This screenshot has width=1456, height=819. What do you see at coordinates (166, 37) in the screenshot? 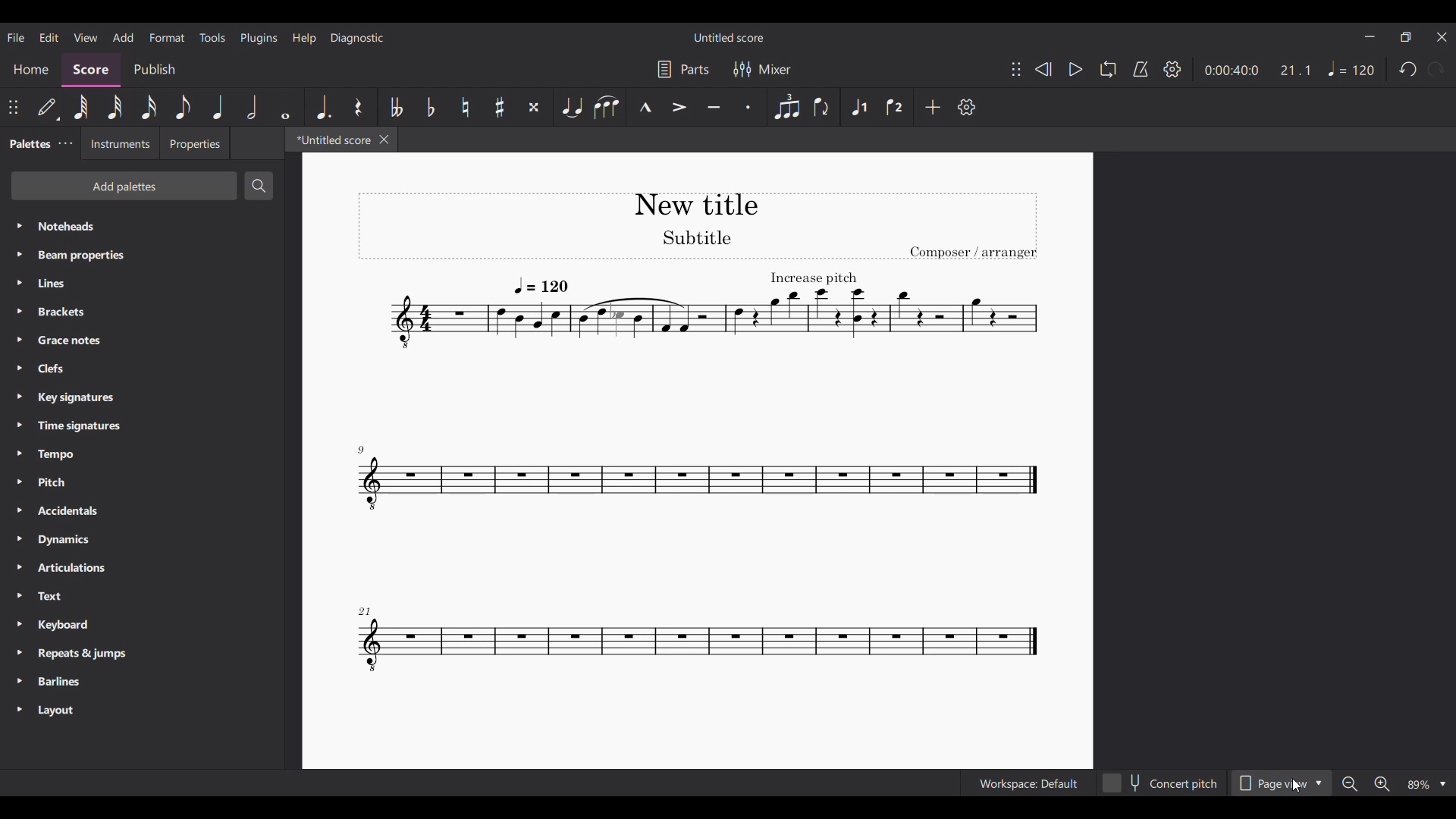
I see `Format menu` at bounding box center [166, 37].